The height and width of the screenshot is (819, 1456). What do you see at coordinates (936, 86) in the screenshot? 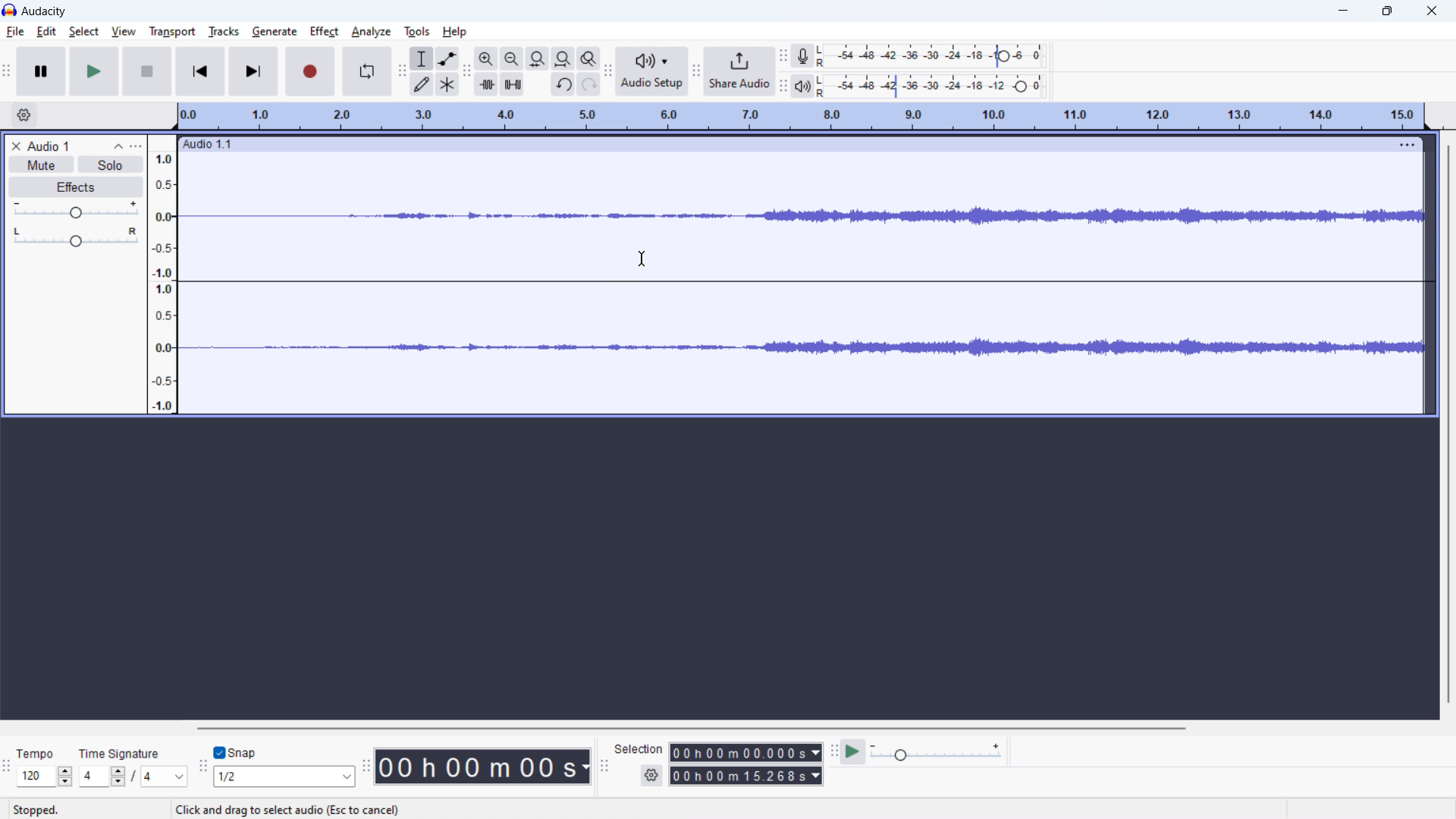
I see `playback level` at bounding box center [936, 86].